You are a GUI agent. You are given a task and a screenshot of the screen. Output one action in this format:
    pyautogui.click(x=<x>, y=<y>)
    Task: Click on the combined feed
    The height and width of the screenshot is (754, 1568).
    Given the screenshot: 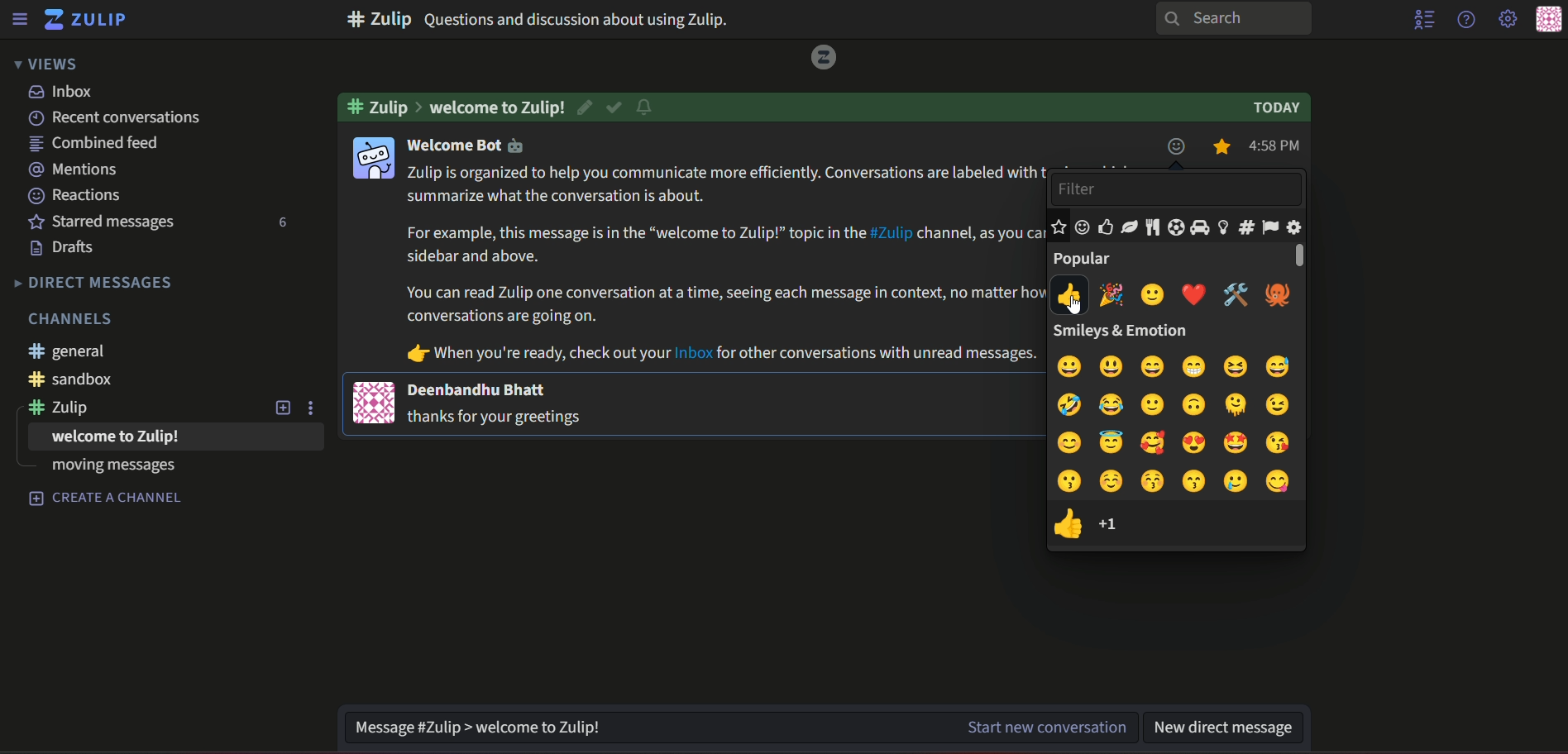 What is the action you would take?
    pyautogui.click(x=95, y=143)
    